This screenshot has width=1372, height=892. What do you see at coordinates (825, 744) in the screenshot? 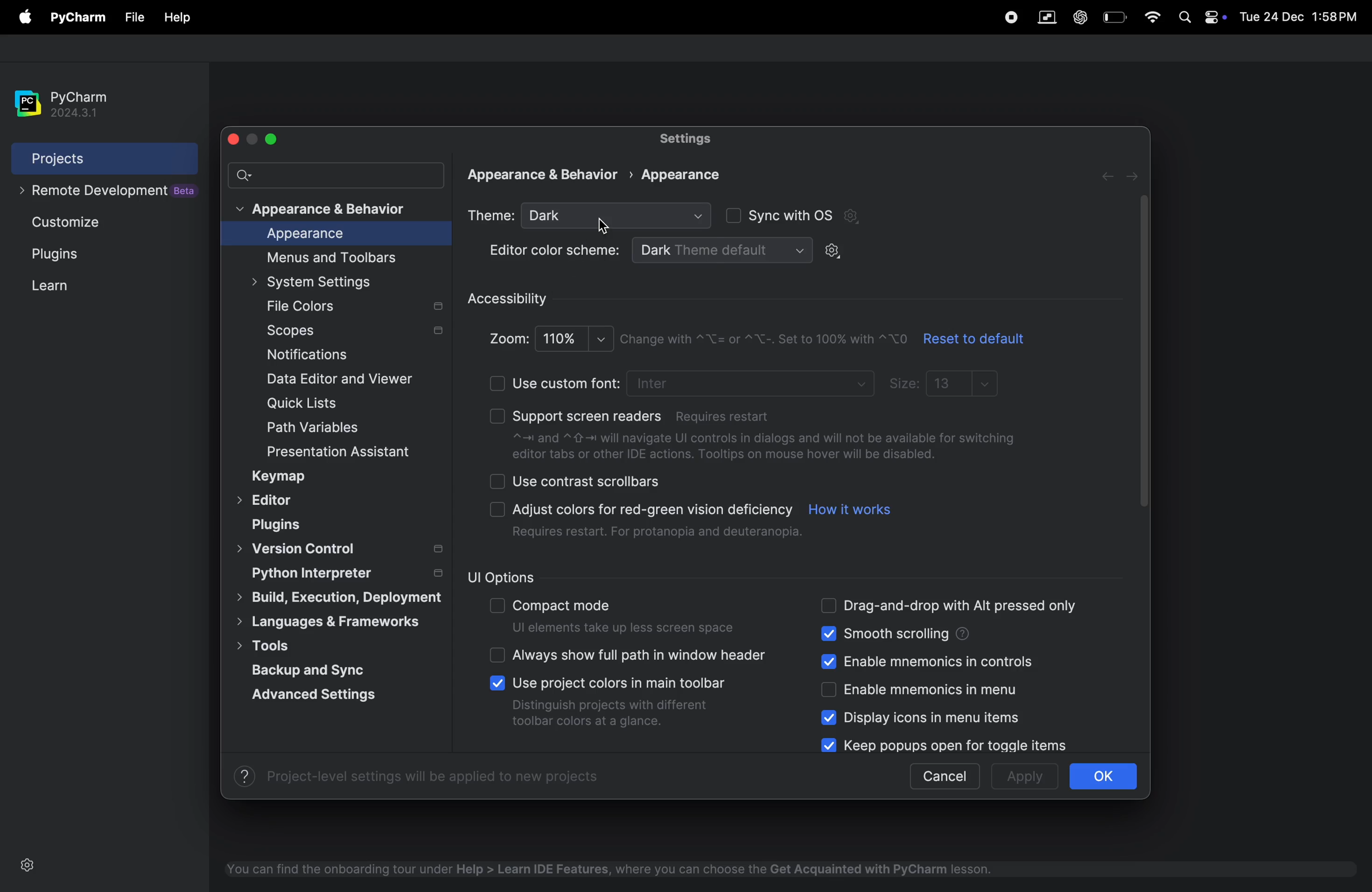
I see `check boxes` at bounding box center [825, 744].